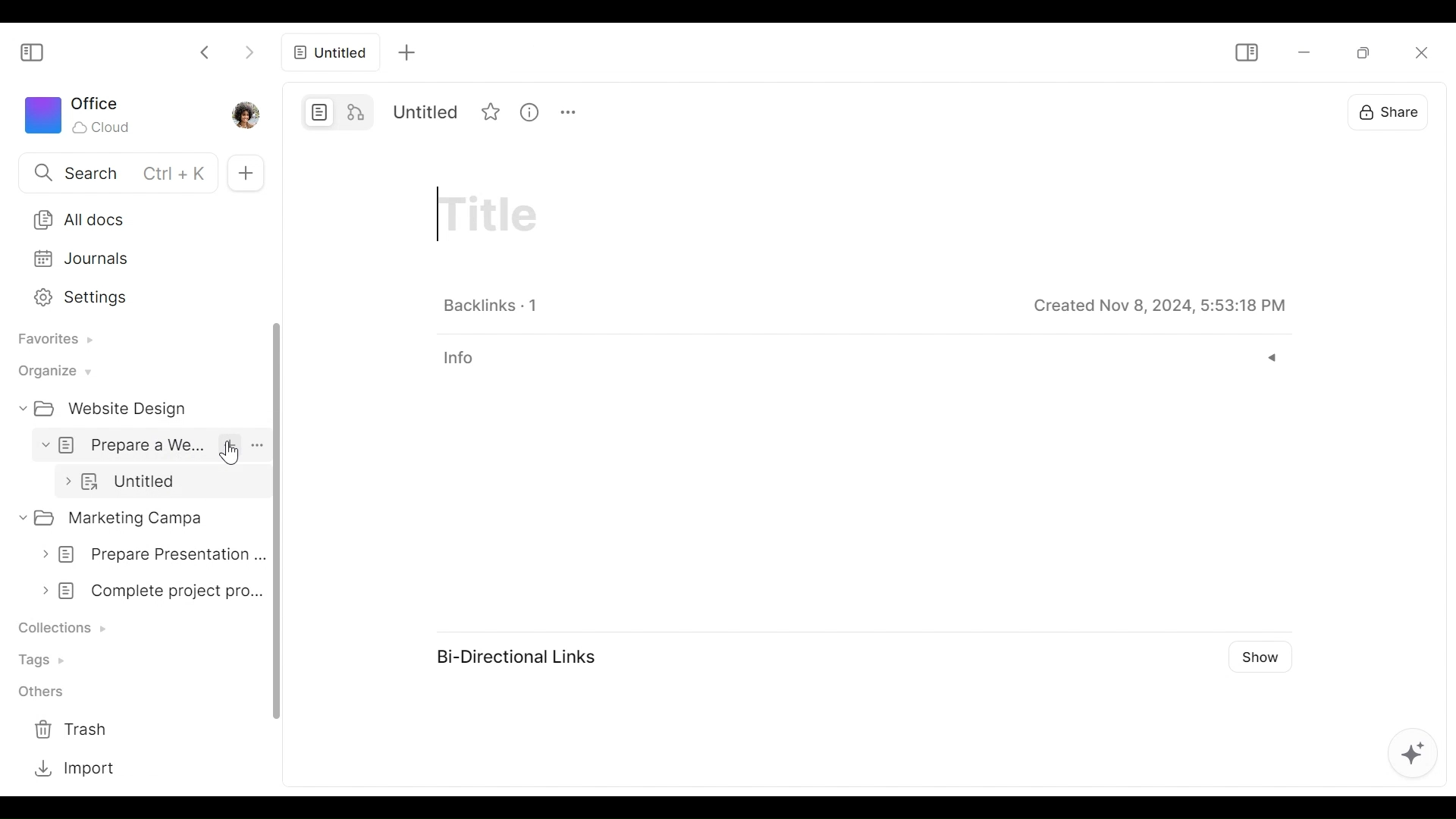 This screenshot has width=1456, height=819. What do you see at coordinates (48, 658) in the screenshot?
I see `Tags` at bounding box center [48, 658].